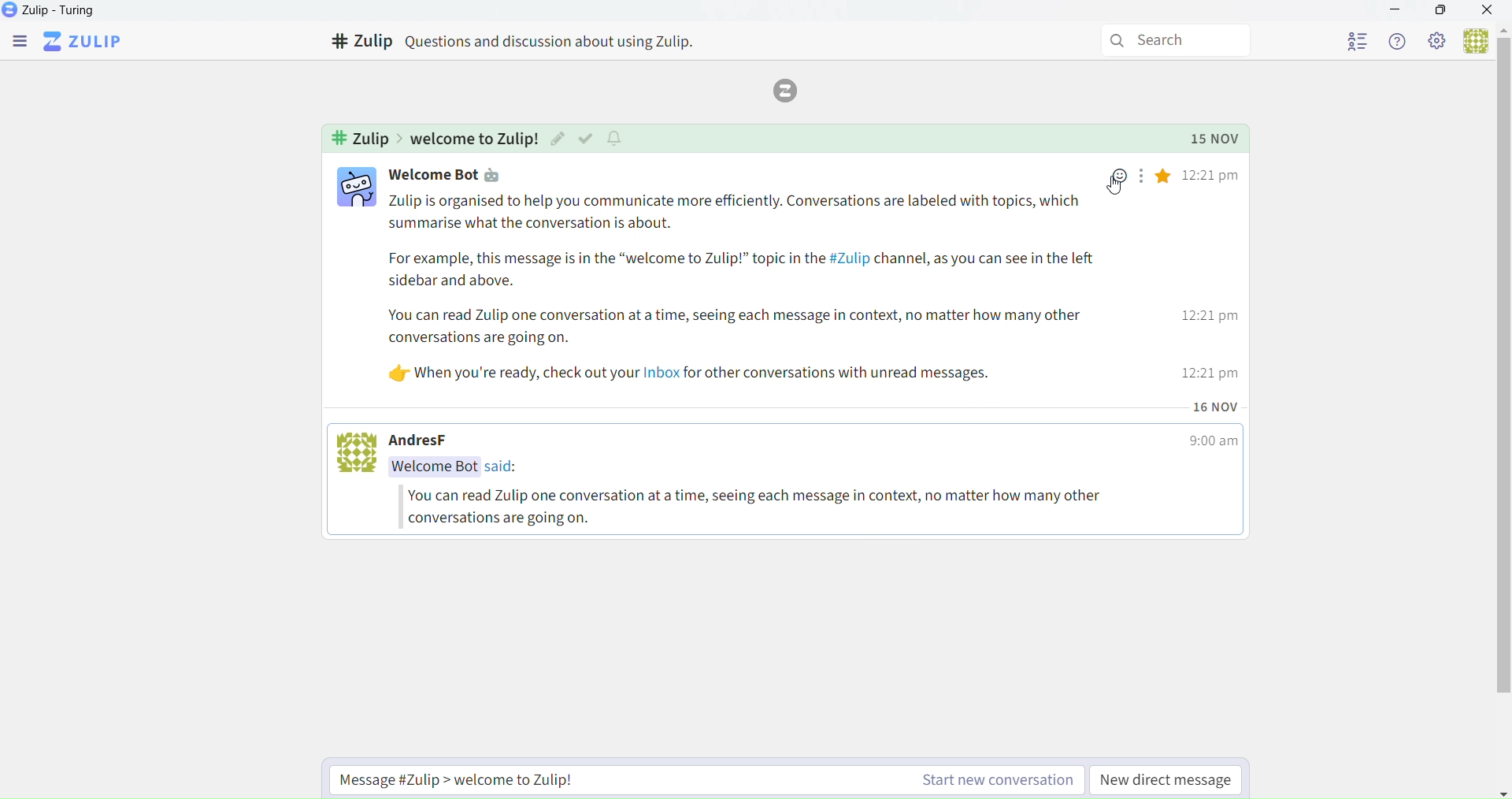 The width and height of the screenshot is (1512, 799). What do you see at coordinates (1488, 11) in the screenshot?
I see `Close` at bounding box center [1488, 11].